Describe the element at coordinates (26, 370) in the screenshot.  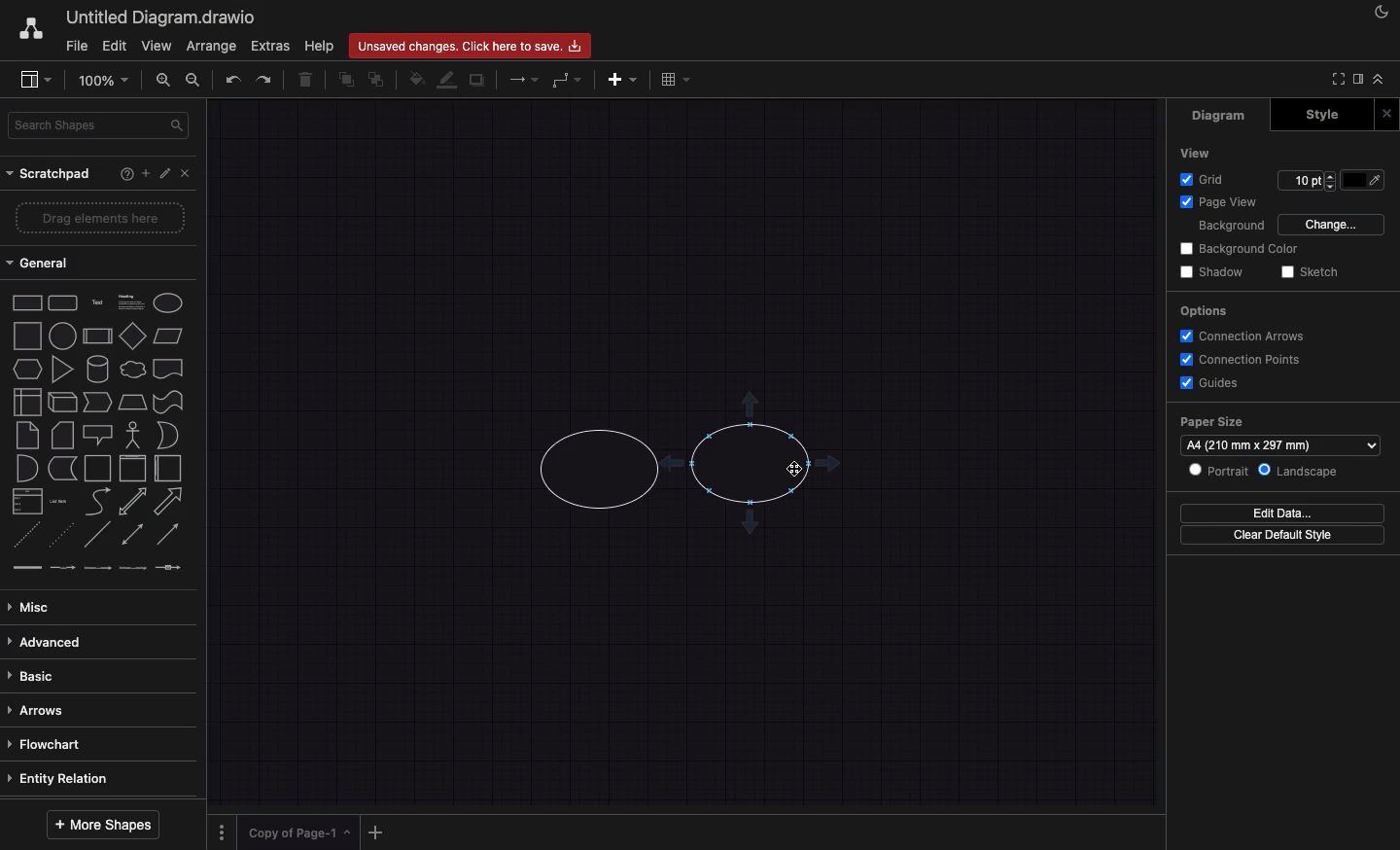
I see `hexagon` at that location.